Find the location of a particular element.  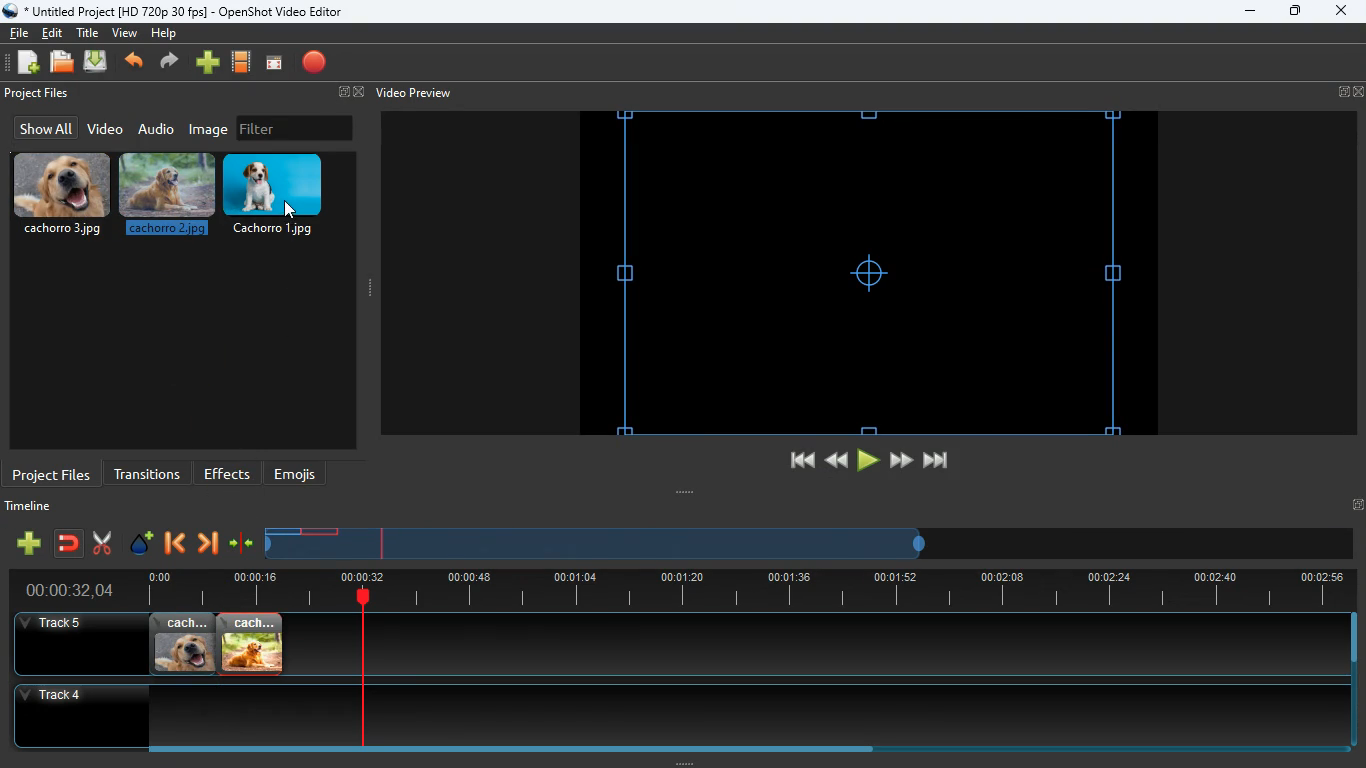

time is located at coordinates (61, 590).